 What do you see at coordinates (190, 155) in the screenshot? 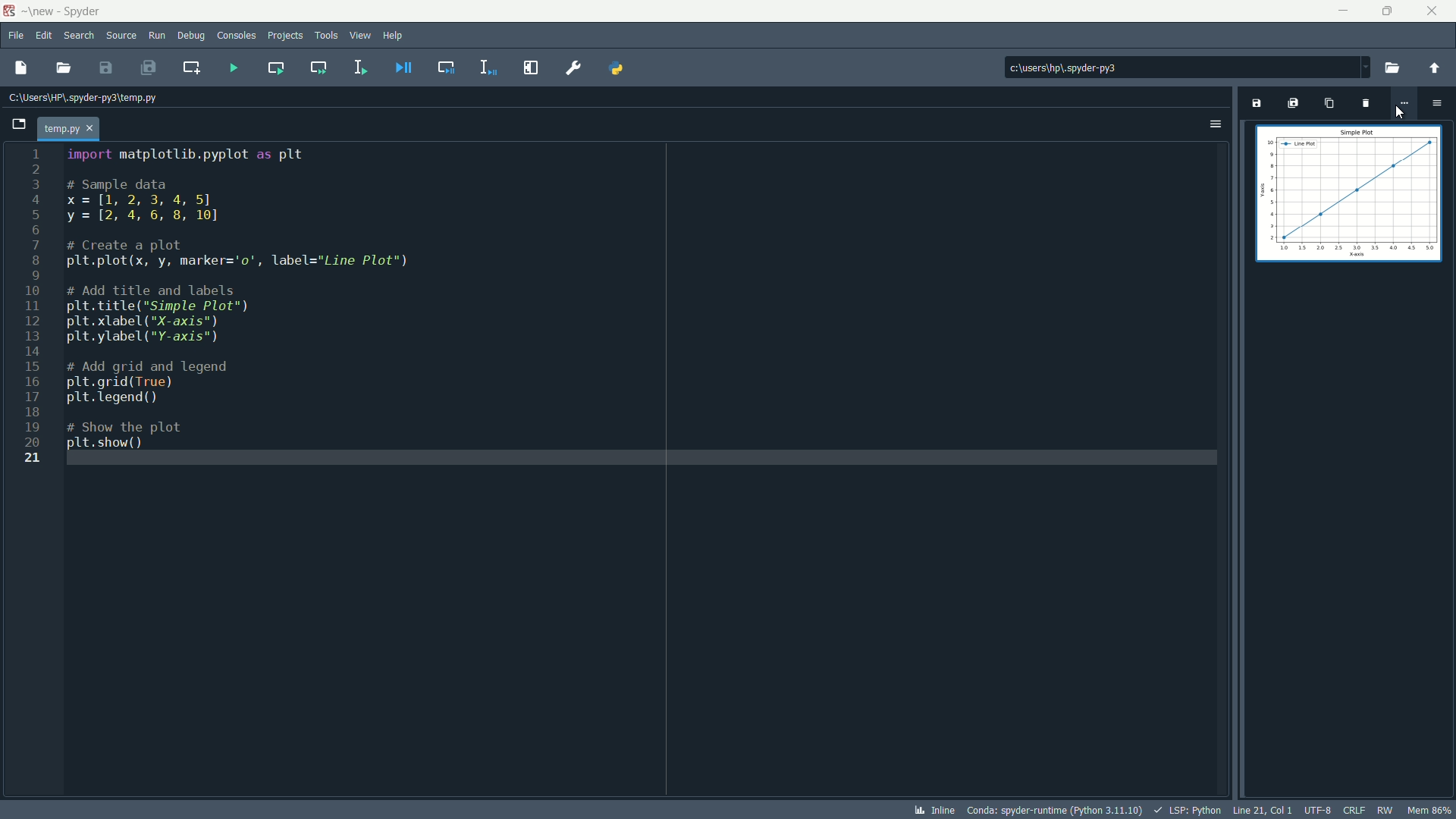
I see `import matplotlib.pyplot as plt` at bounding box center [190, 155].